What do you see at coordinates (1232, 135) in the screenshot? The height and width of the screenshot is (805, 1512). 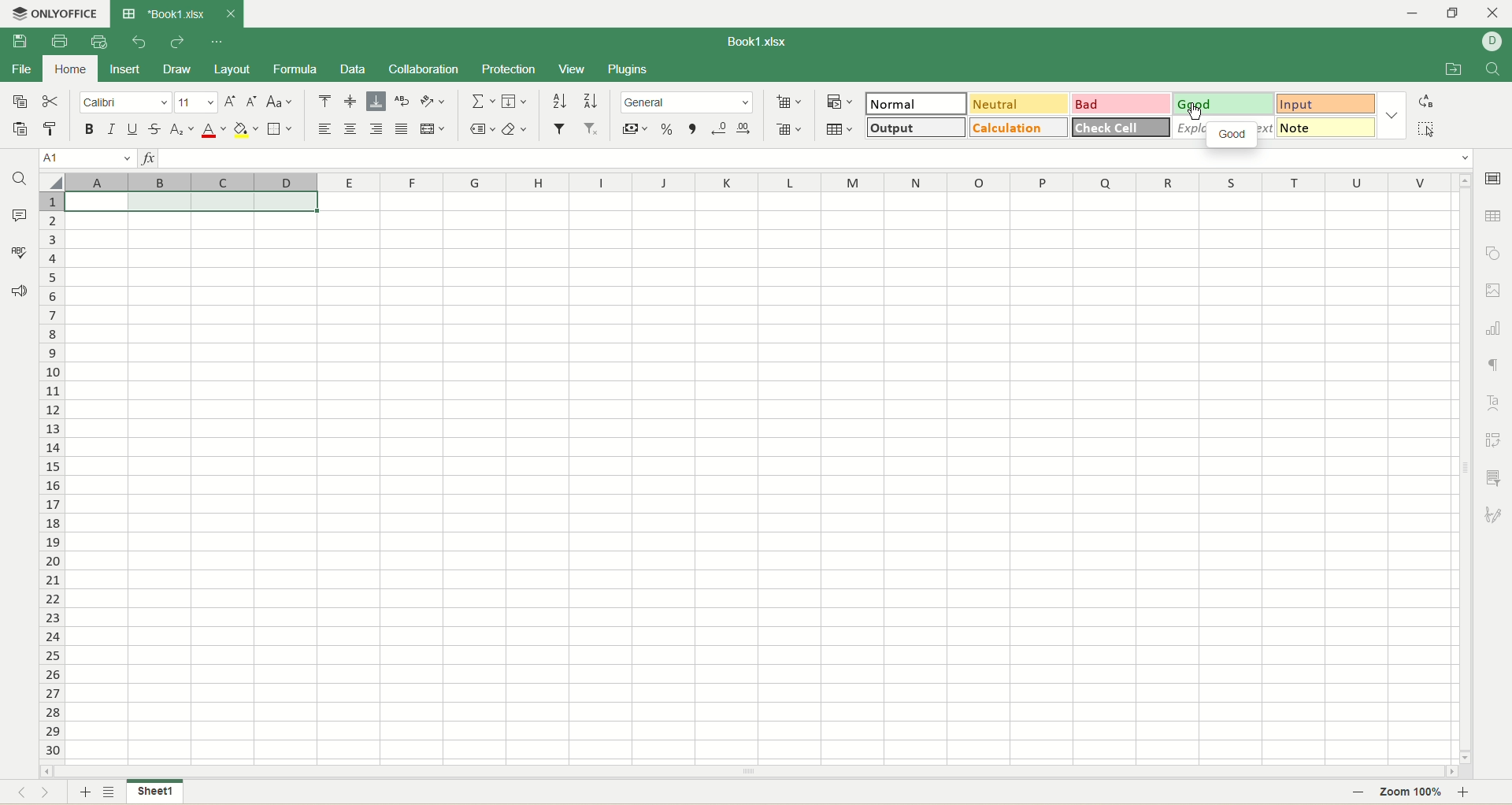 I see `good` at bounding box center [1232, 135].